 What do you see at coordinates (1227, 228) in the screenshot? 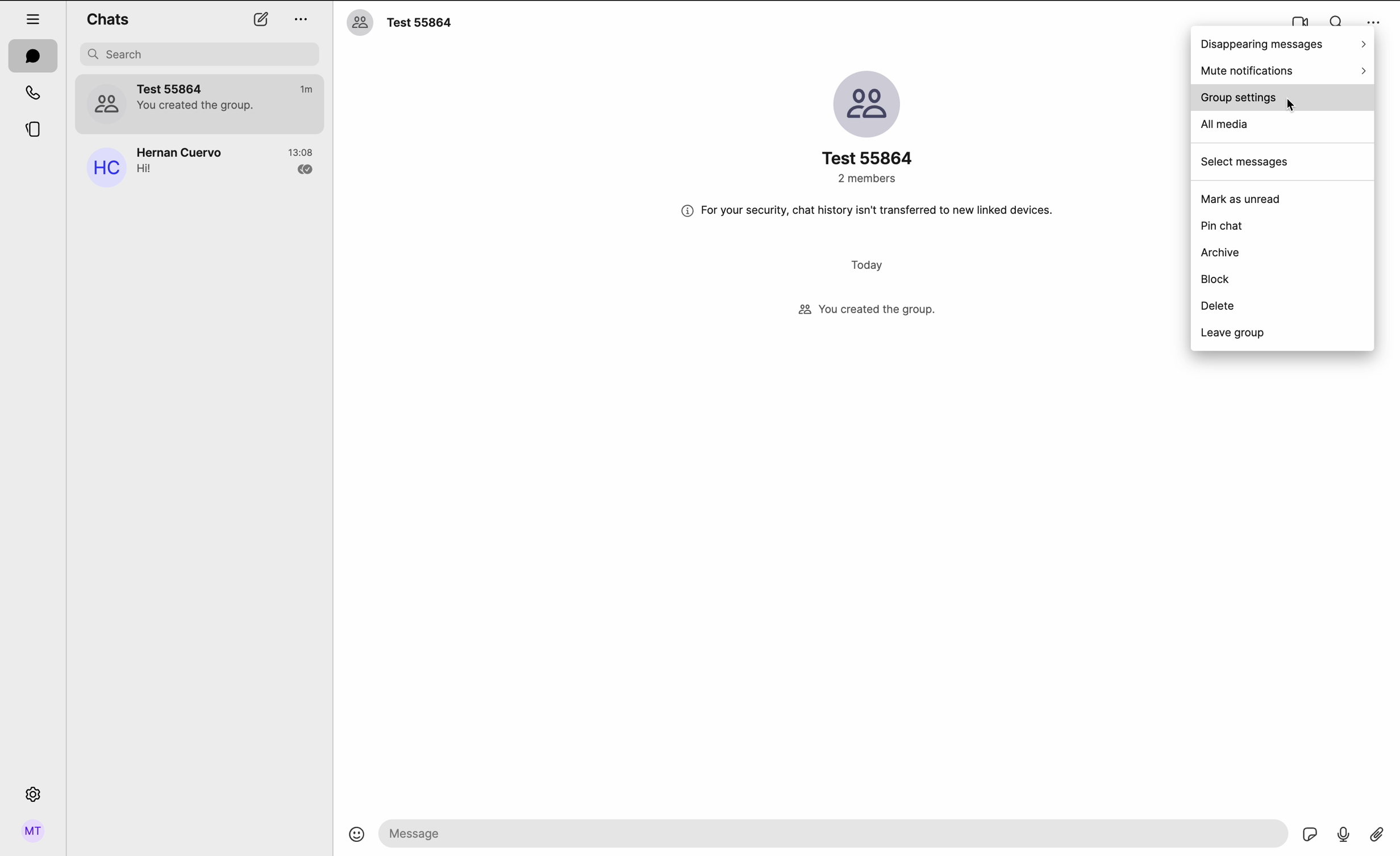
I see `pin chat` at bounding box center [1227, 228].